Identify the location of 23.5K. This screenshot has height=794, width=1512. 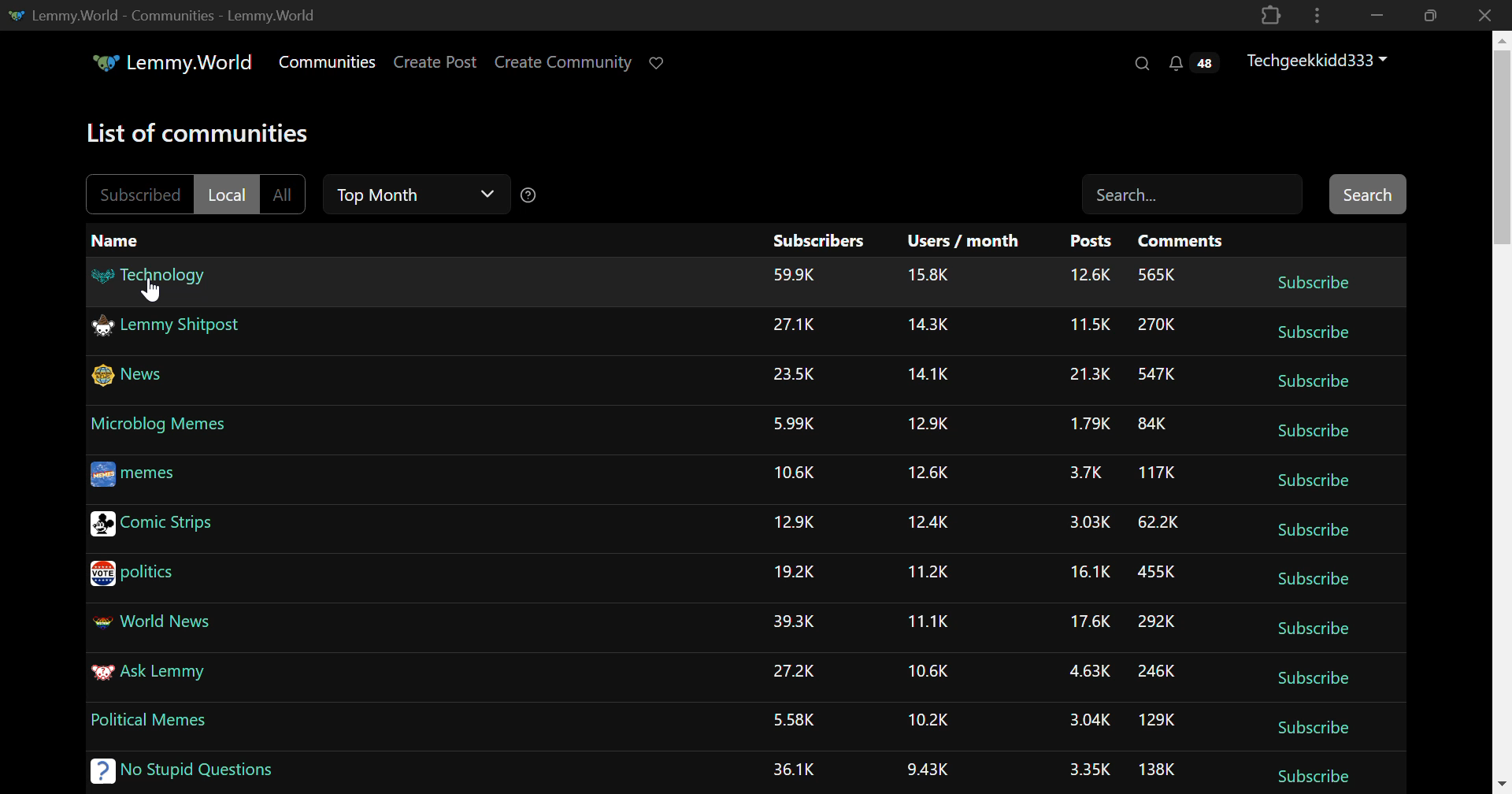
(792, 373).